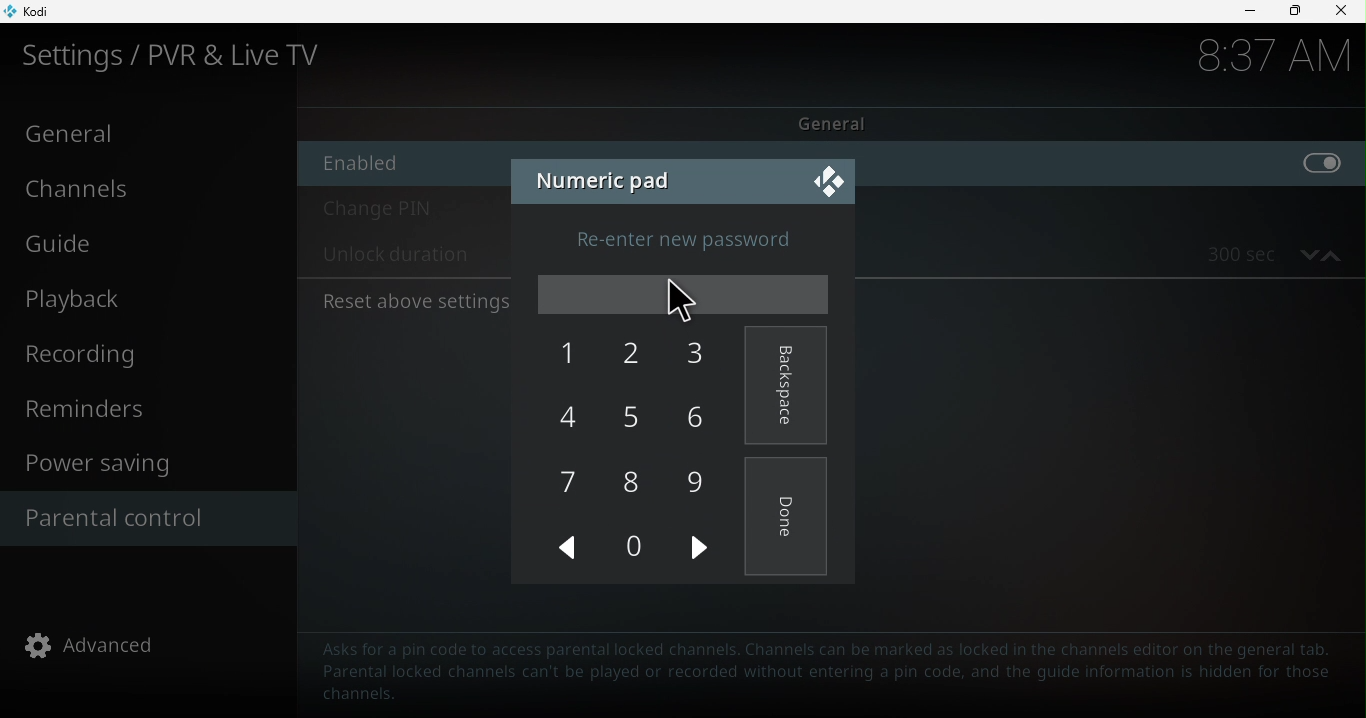 Image resolution: width=1366 pixels, height=718 pixels. What do you see at coordinates (639, 420) in the screenshot?
I see `5` at bounding box center [639, 420].